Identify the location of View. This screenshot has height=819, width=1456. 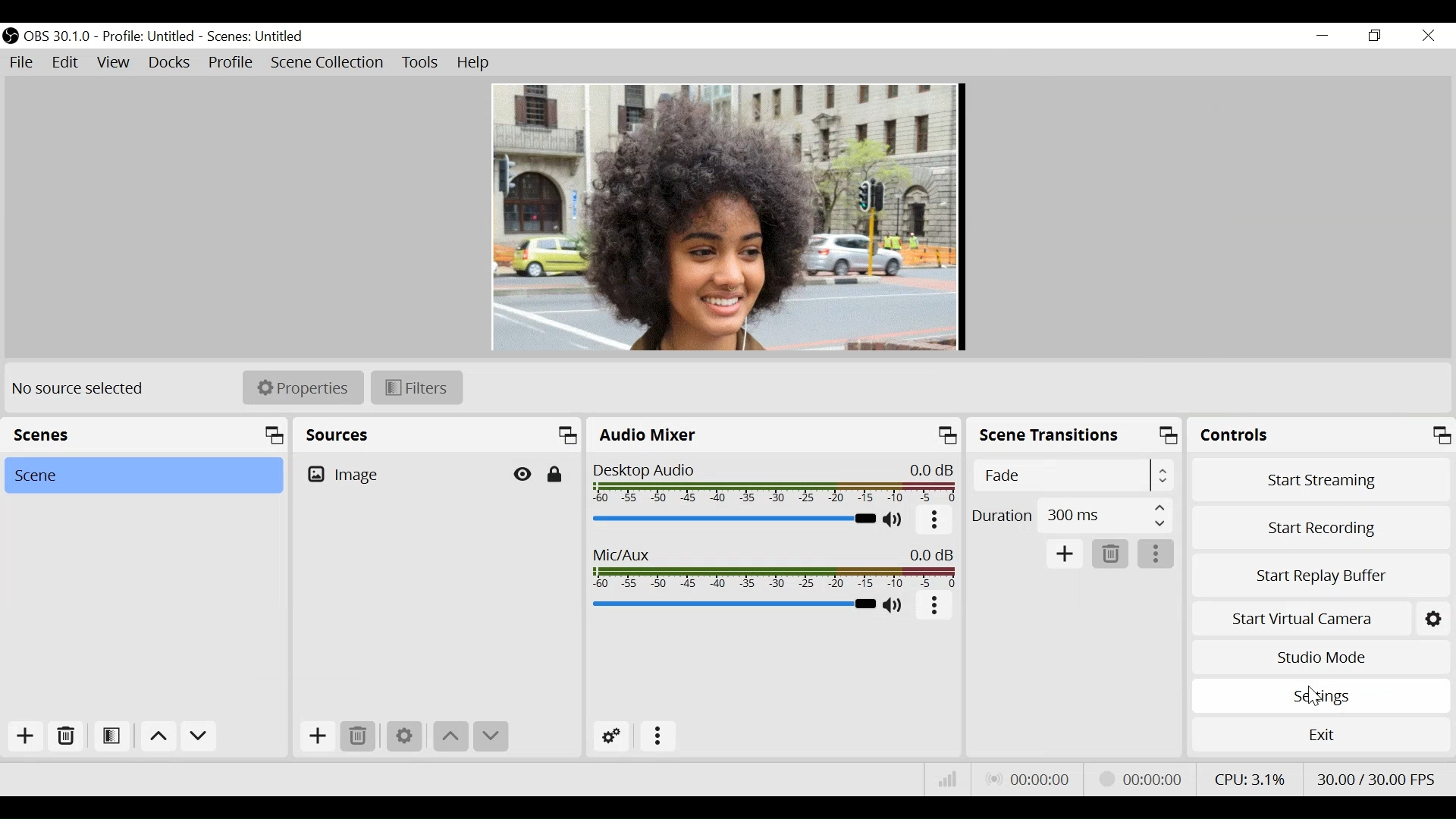
(115, 62).